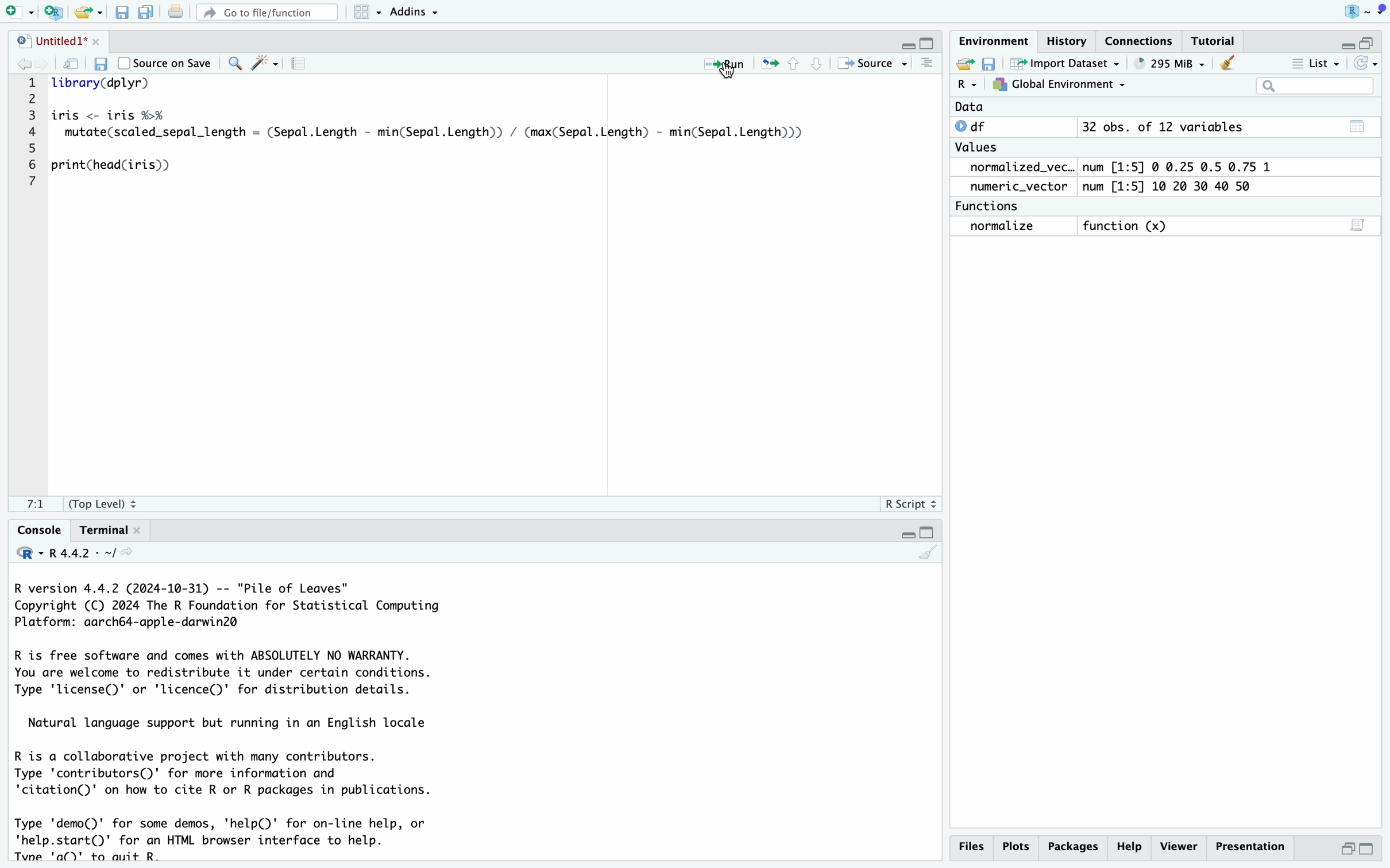  Describe the element at coordinates (109, 503) in the screenshot. I see `Top Level` at that location.